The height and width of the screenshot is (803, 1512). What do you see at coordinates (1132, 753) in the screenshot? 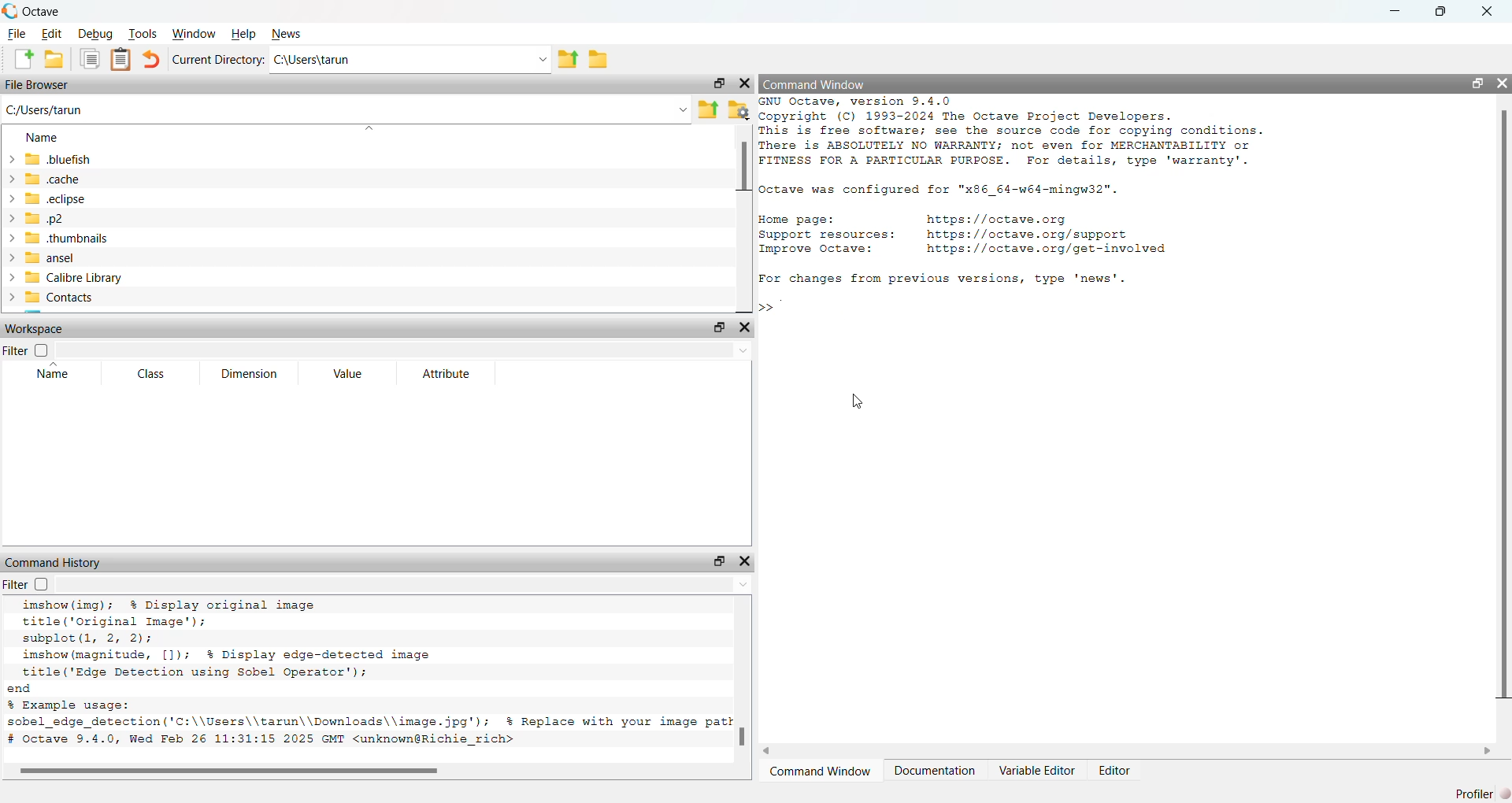
I see `horizontal scroll bar` at bounding box center [1132, 753].